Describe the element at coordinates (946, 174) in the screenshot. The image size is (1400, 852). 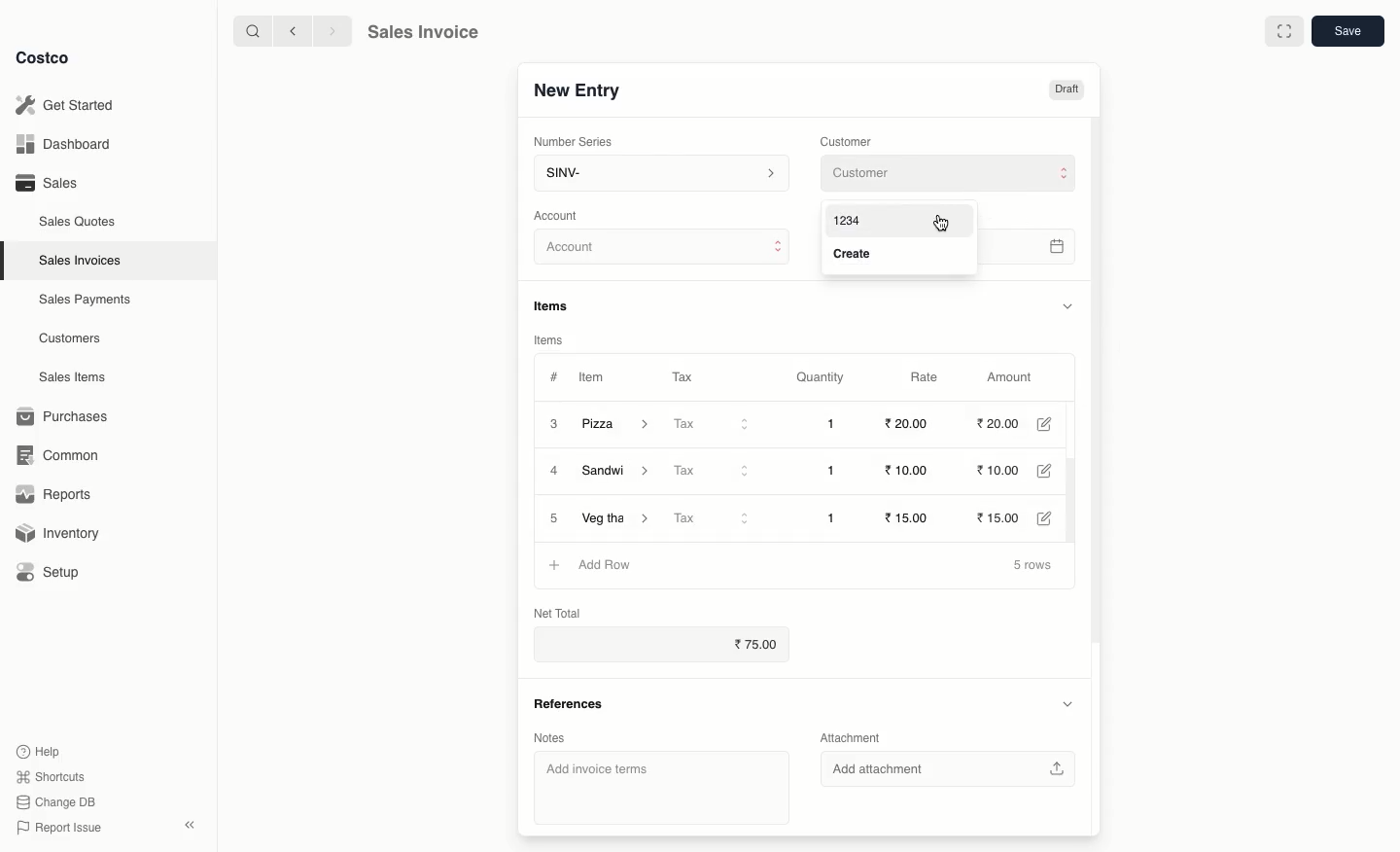
I see `Customer` at that location.